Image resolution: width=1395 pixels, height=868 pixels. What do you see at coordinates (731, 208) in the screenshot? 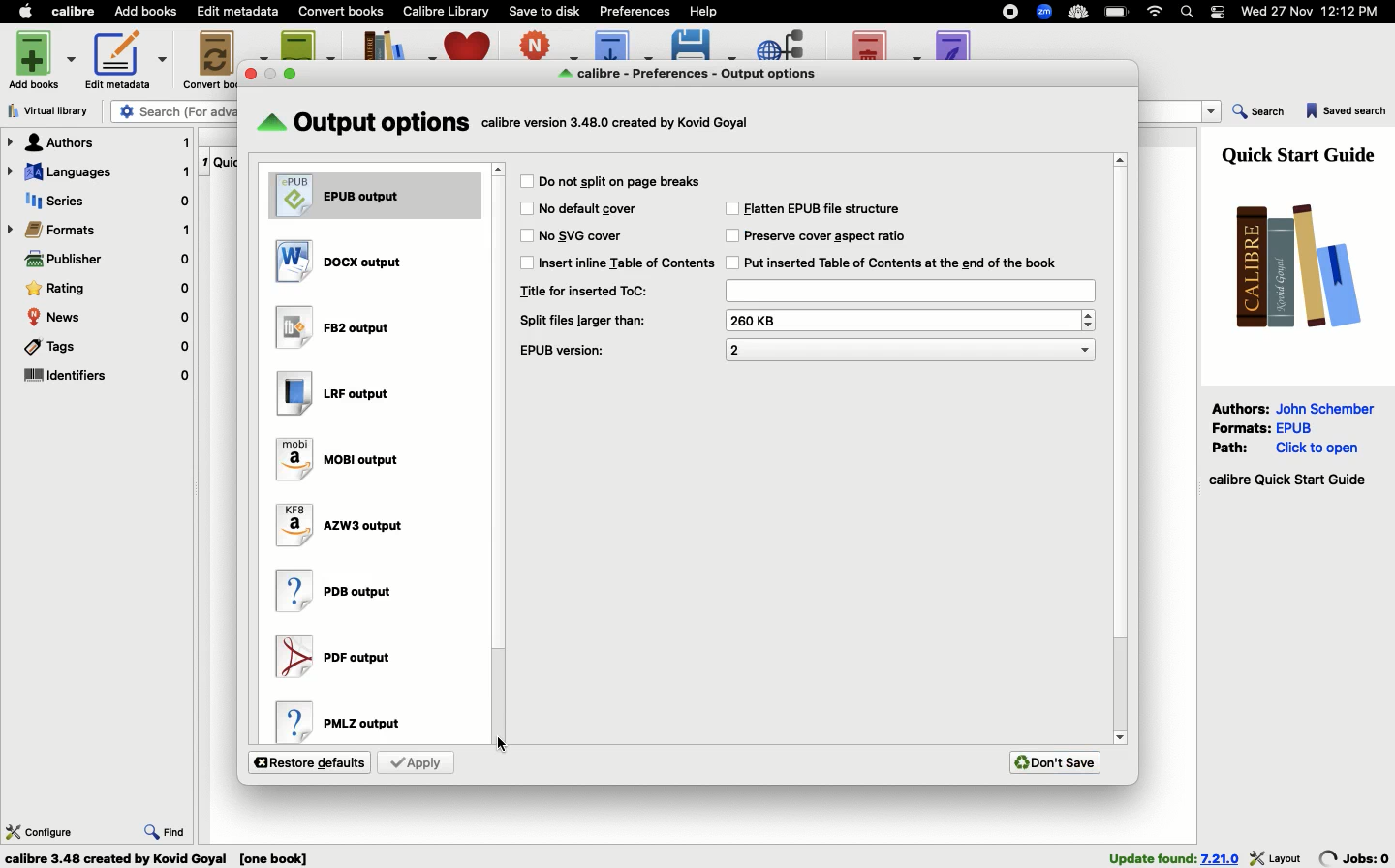
I see `Checkbox` at bounding box center [731, 208].